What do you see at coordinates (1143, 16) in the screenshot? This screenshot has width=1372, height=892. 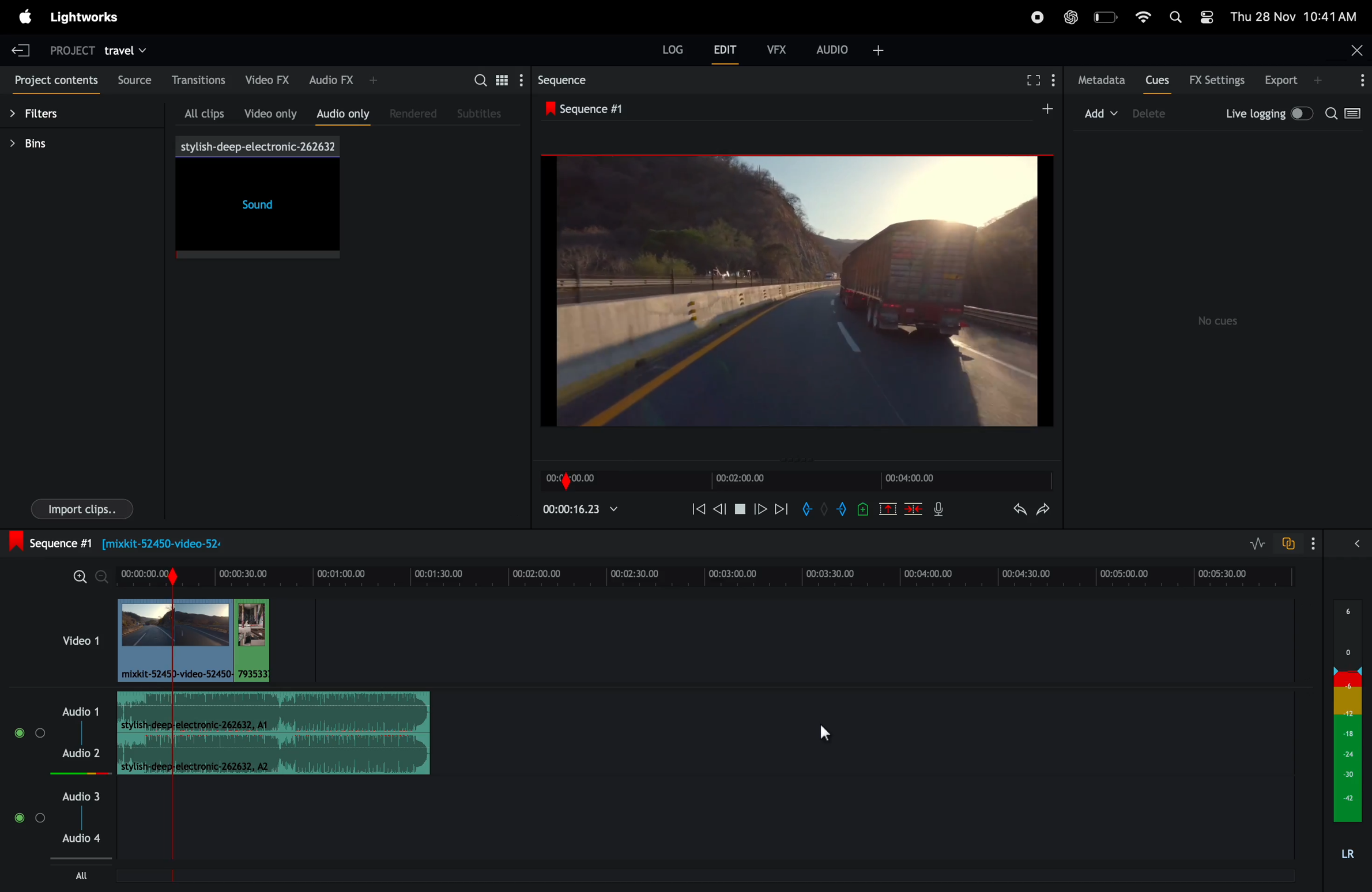 I see `wifi` at bounding box center [1143, 16].